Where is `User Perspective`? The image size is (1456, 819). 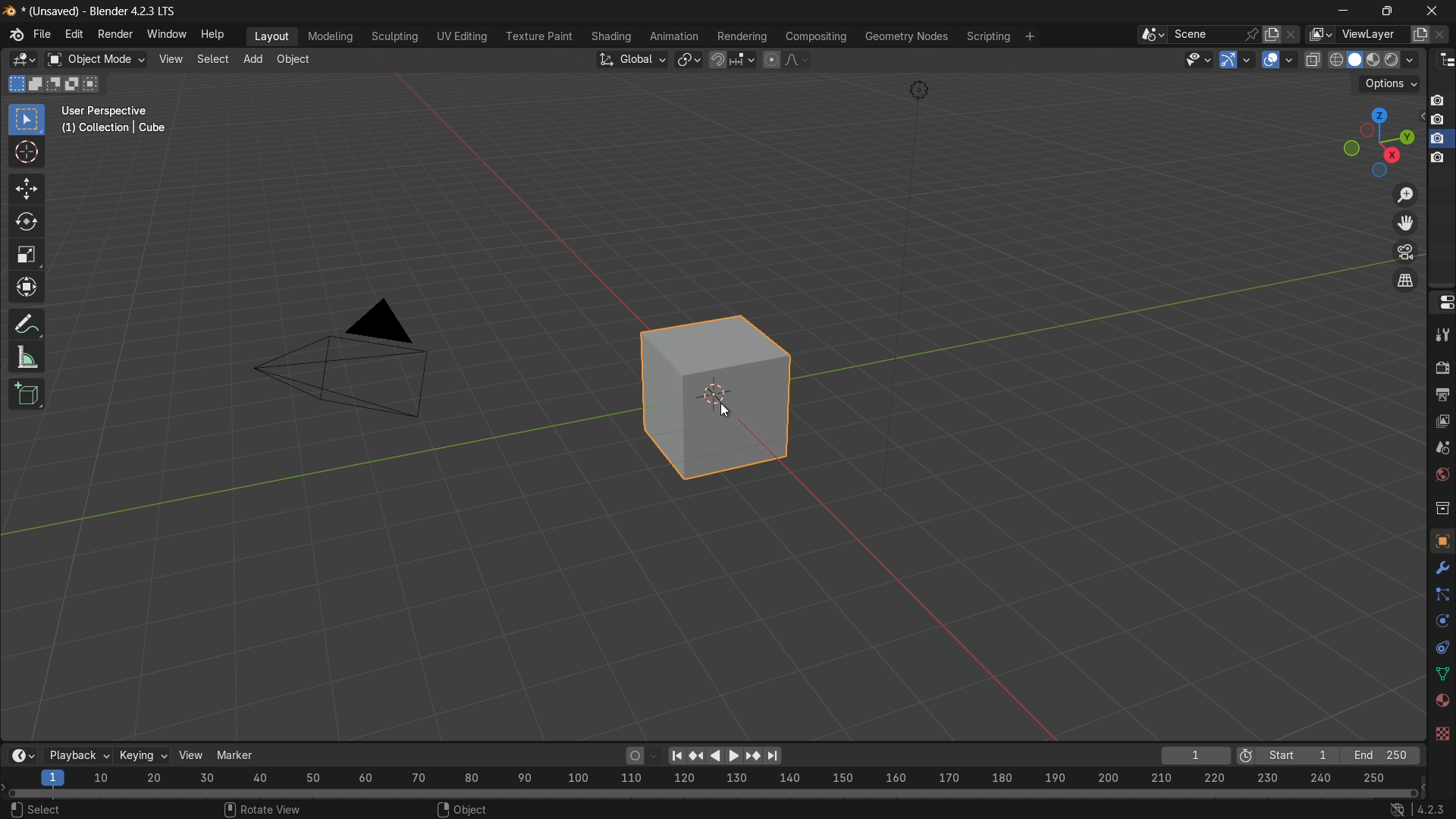
User Perspective is located at coordinates (118, 121).